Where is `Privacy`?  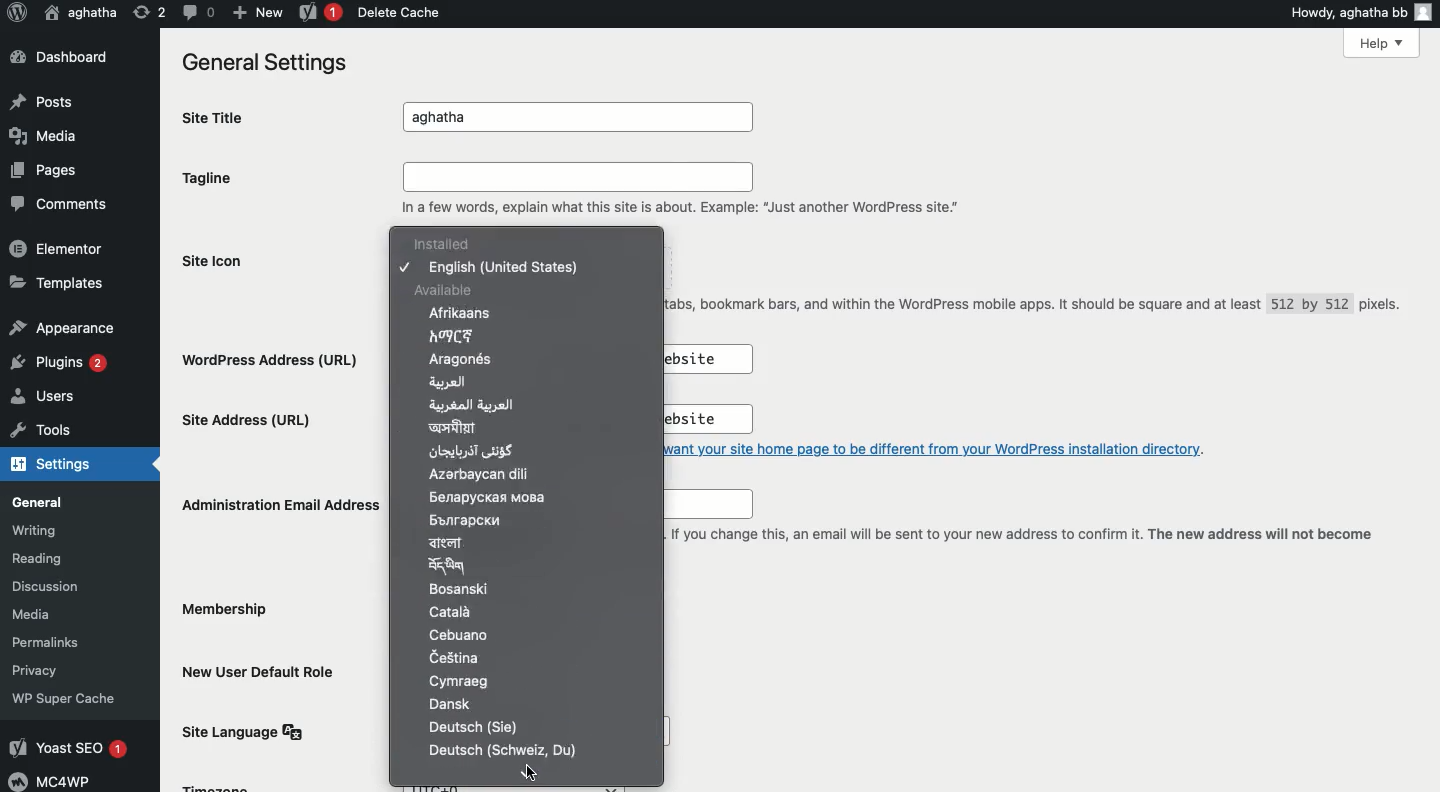 Privacy is located at coordinates (44, 669).